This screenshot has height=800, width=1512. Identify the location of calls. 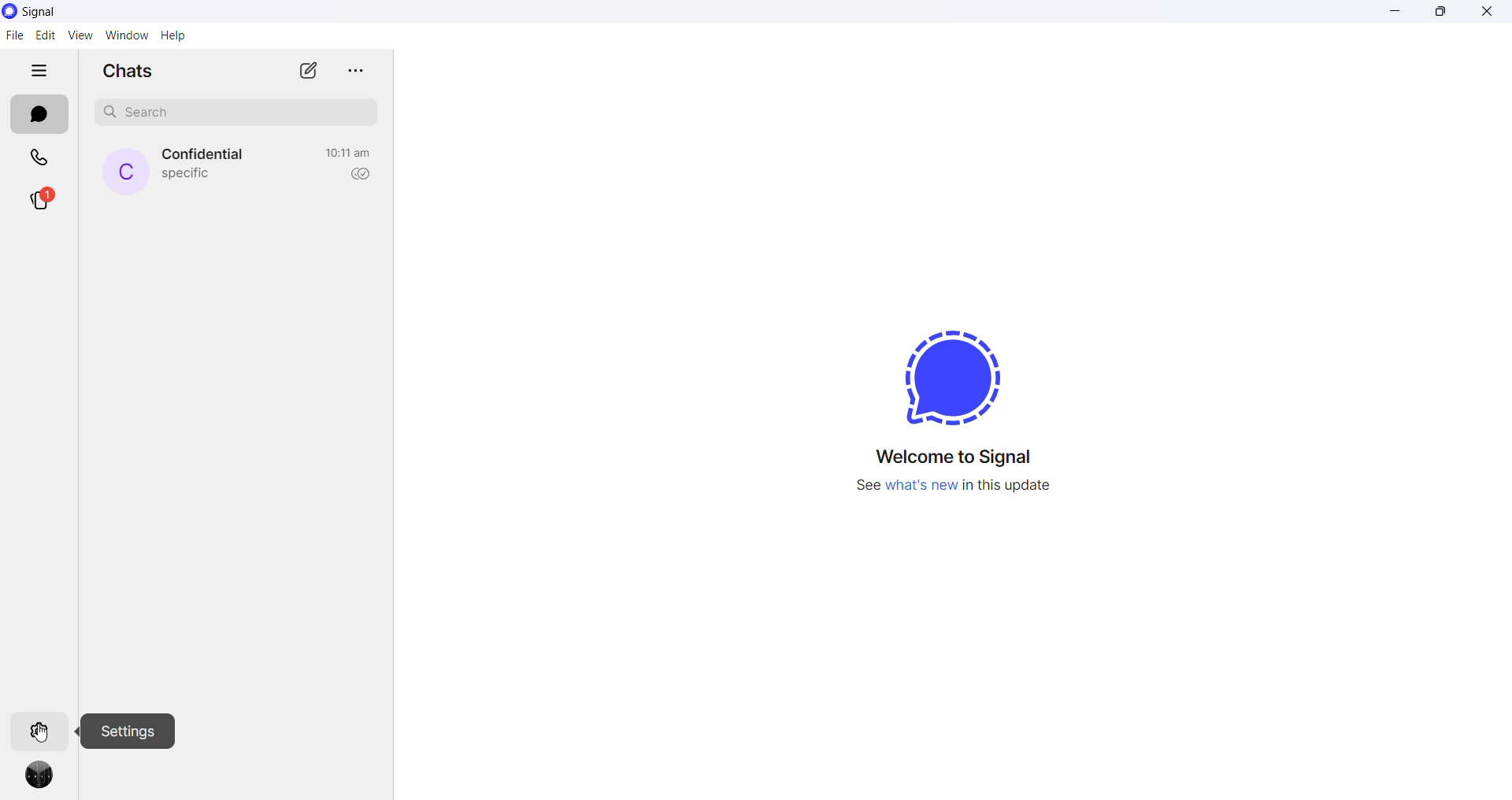
(41, 160).